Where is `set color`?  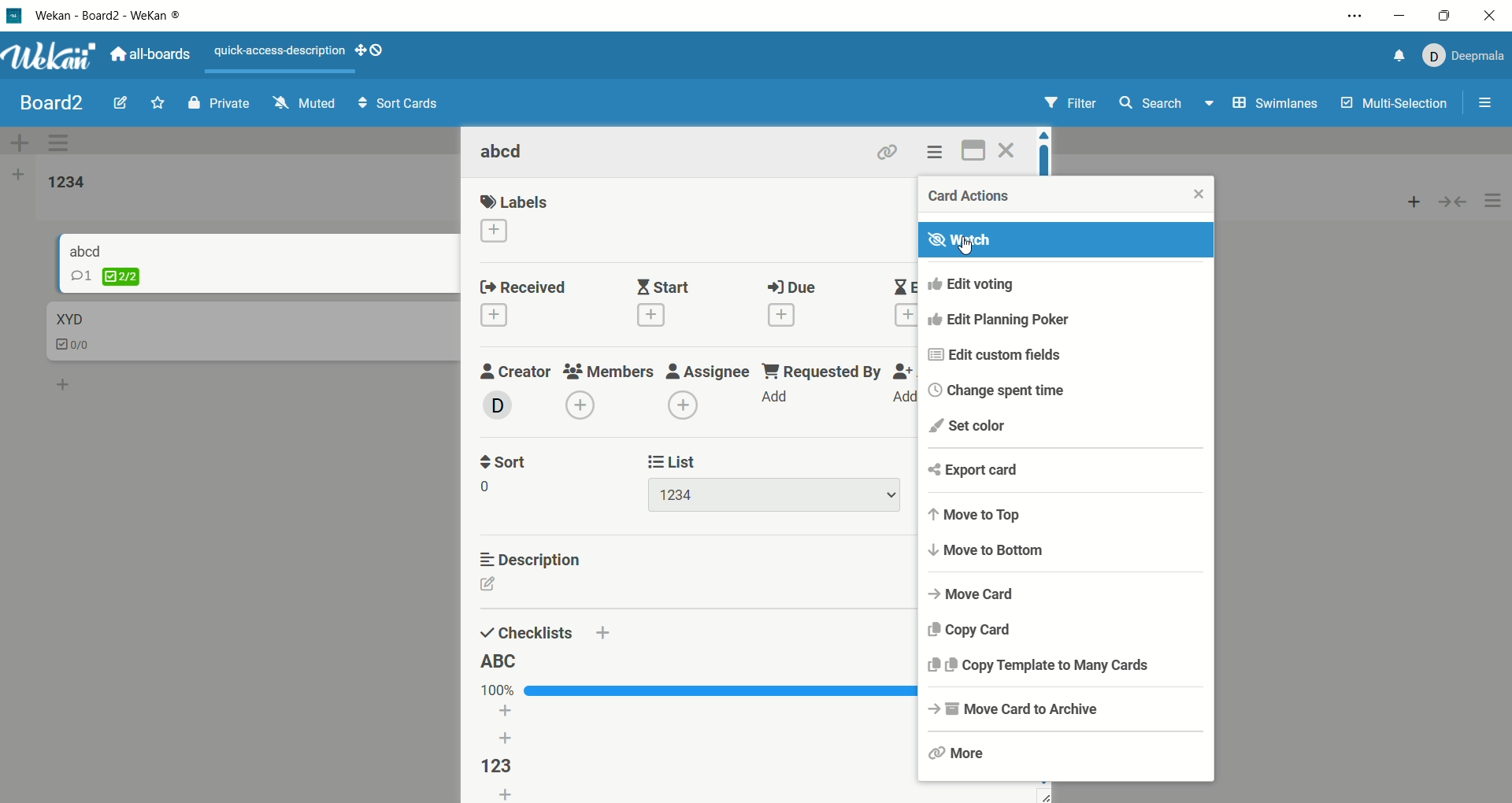
set color is located at coordinates (1069, 428).